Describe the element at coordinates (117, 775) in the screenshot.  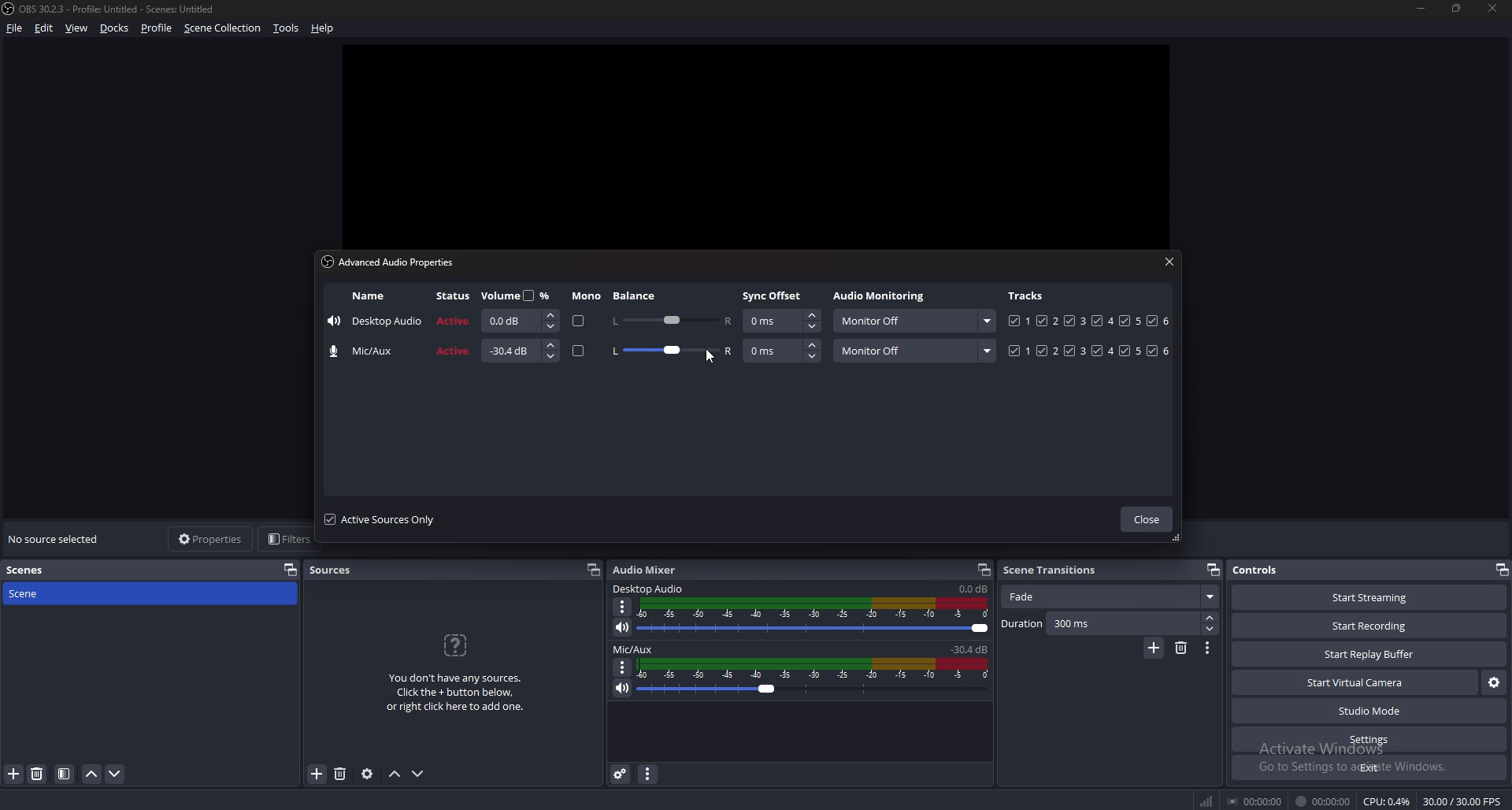
I see `move scene down` at that location.